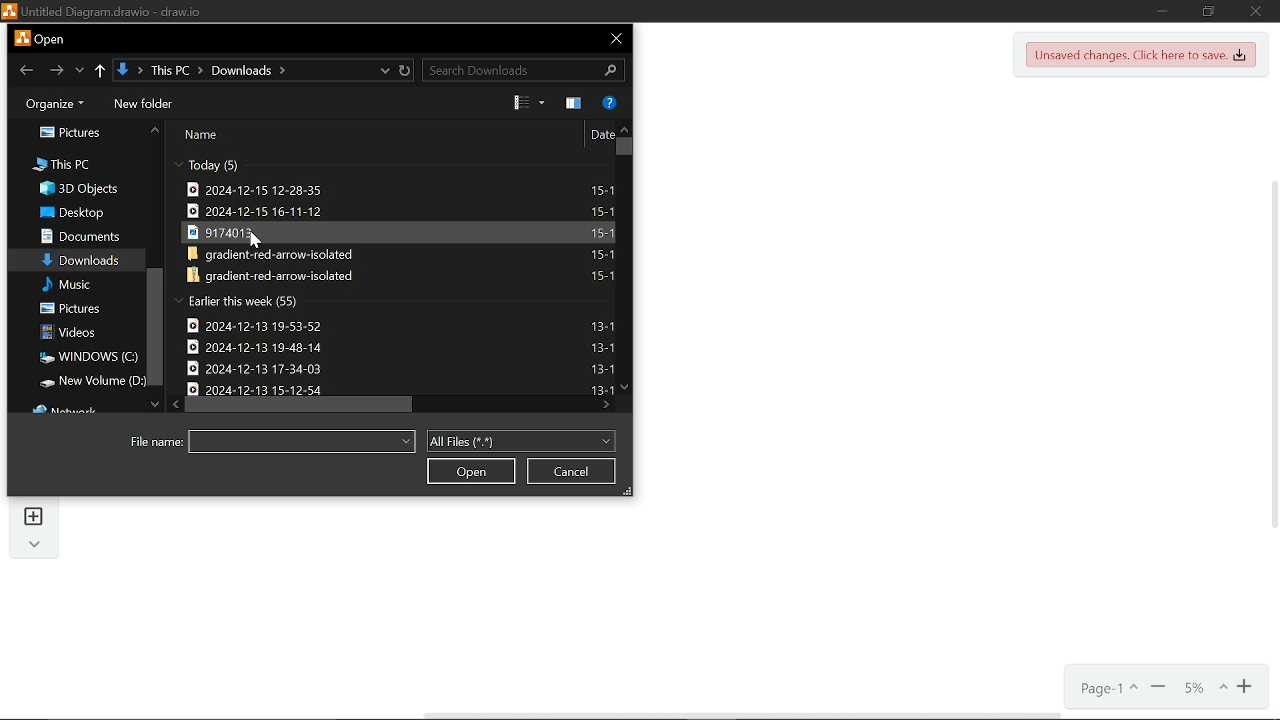 This screenshot has width=1280, height=720. What do you see at coordinates (404, 254) in the screenshot?
I see `file titled "gradient red arrow isolated""` at bounding box center [404, 254].